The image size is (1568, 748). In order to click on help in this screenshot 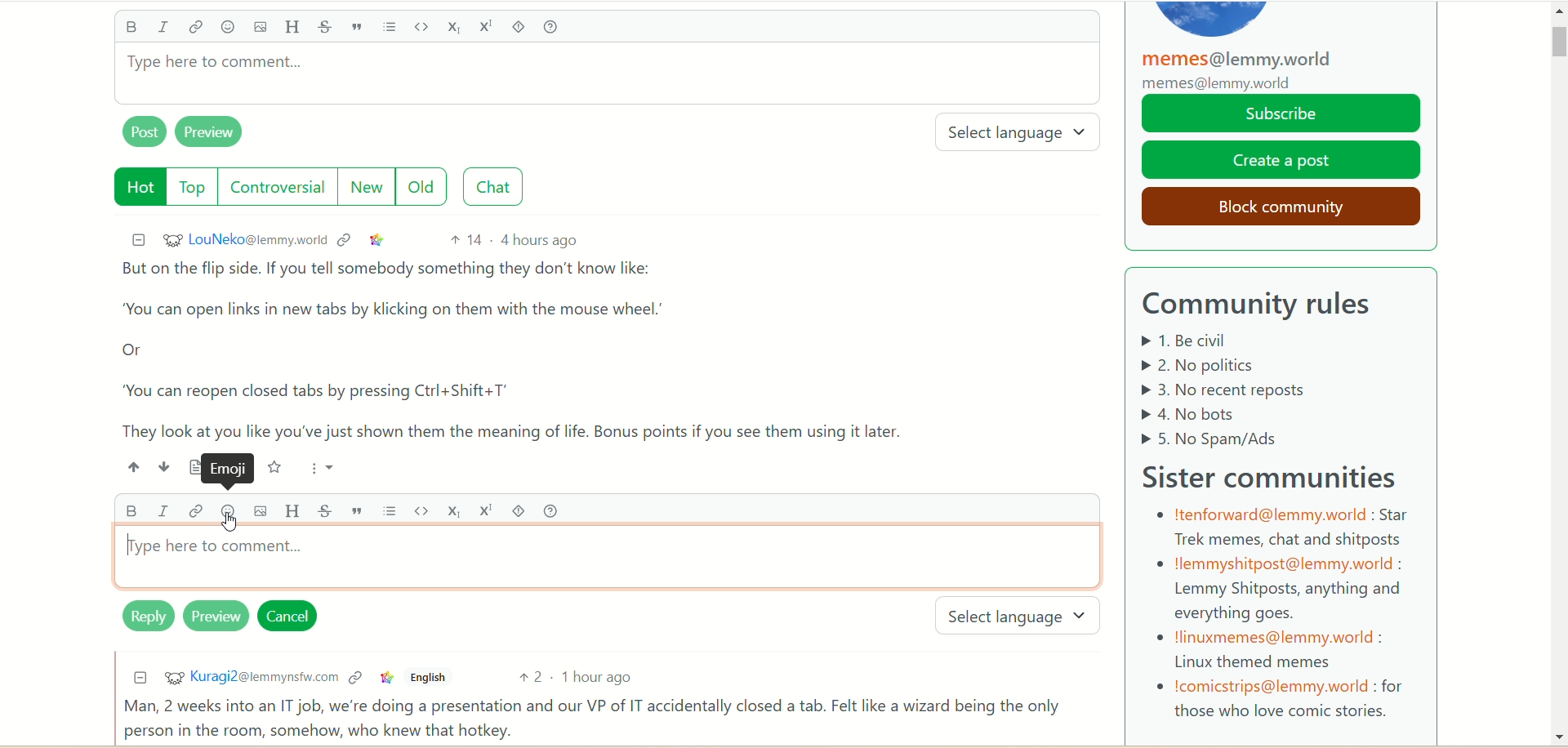, I will do `click(550, 510)`.